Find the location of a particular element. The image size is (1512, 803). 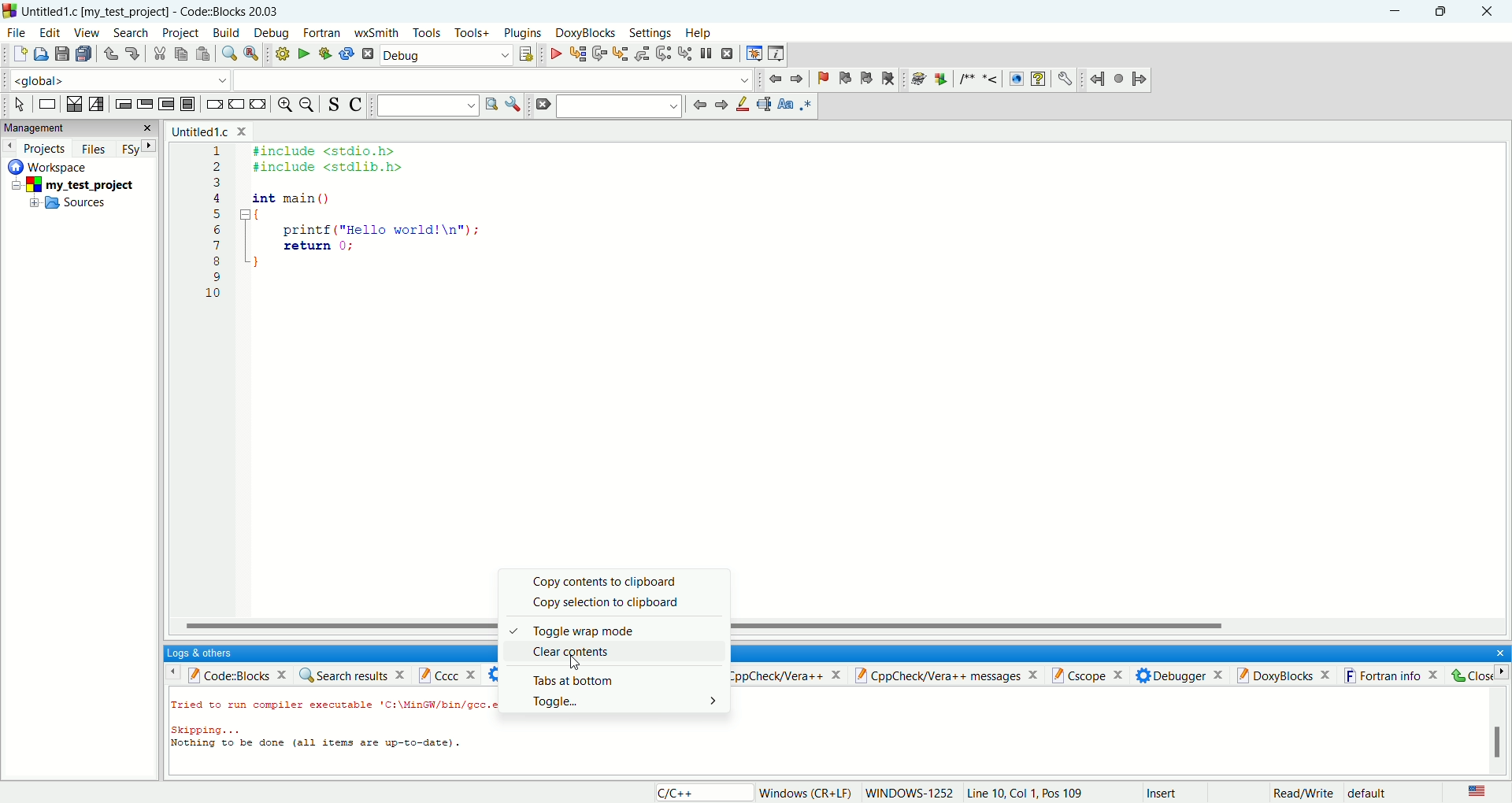

title is located at coordinates (152, 11).